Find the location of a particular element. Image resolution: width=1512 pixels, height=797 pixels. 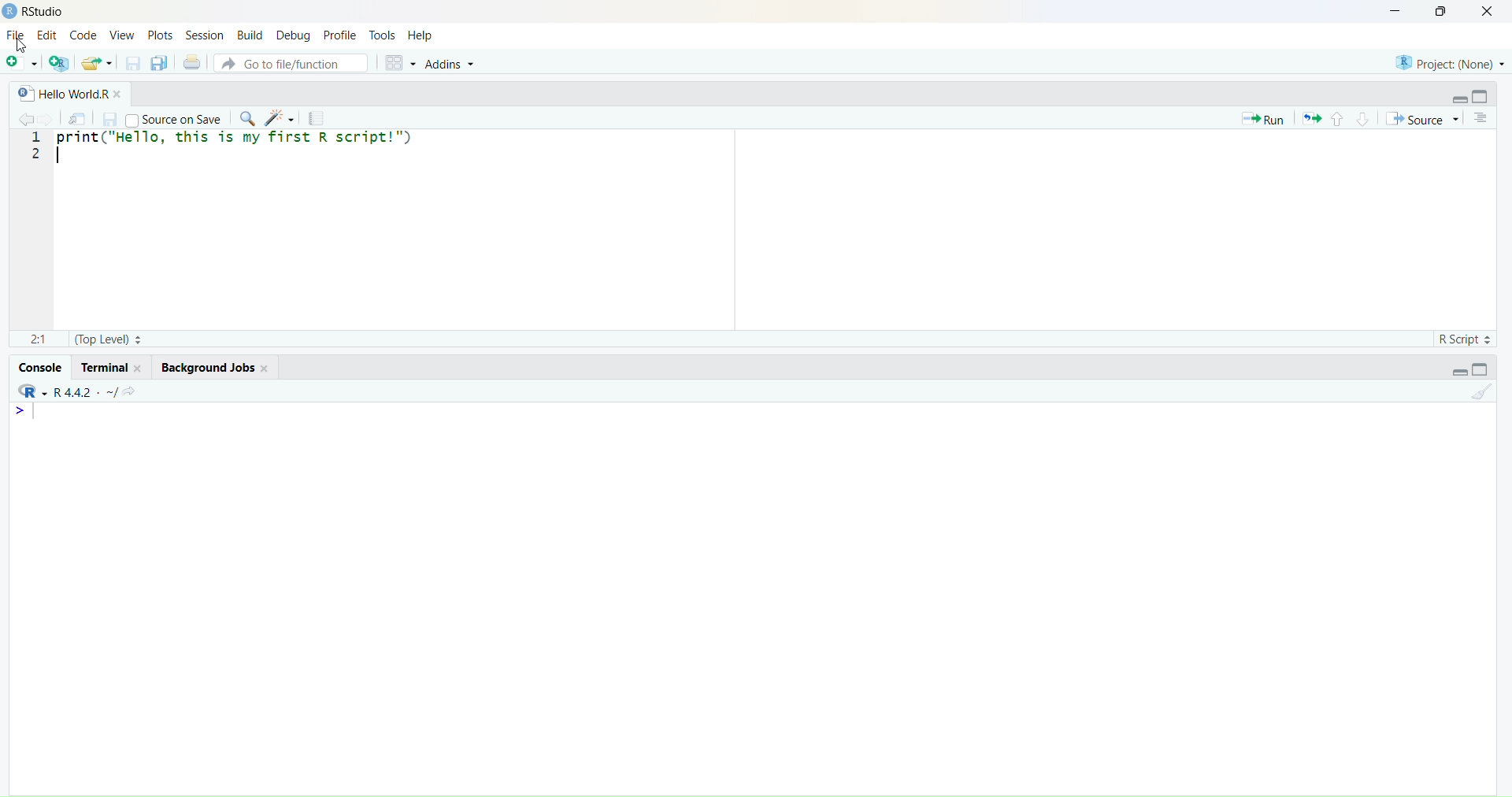

Close is located at coordinates (1488, 13).